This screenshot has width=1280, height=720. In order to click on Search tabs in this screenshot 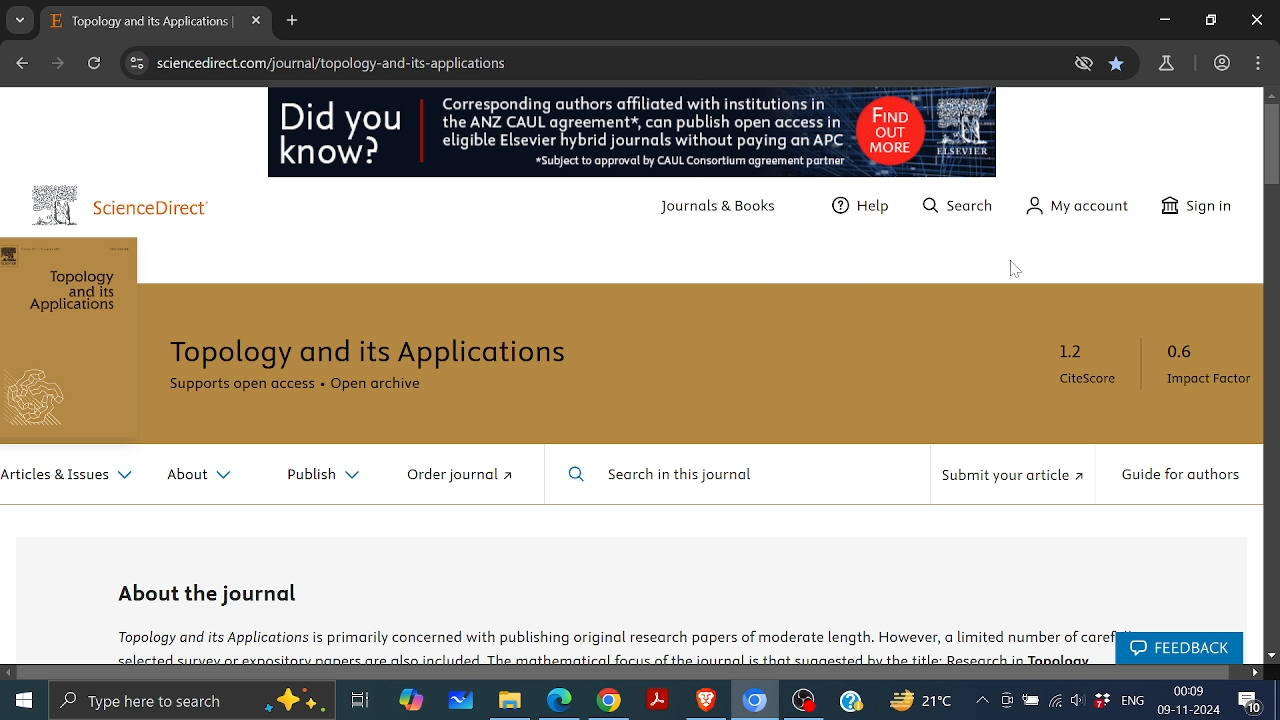, I will do `click(20, 20)`.